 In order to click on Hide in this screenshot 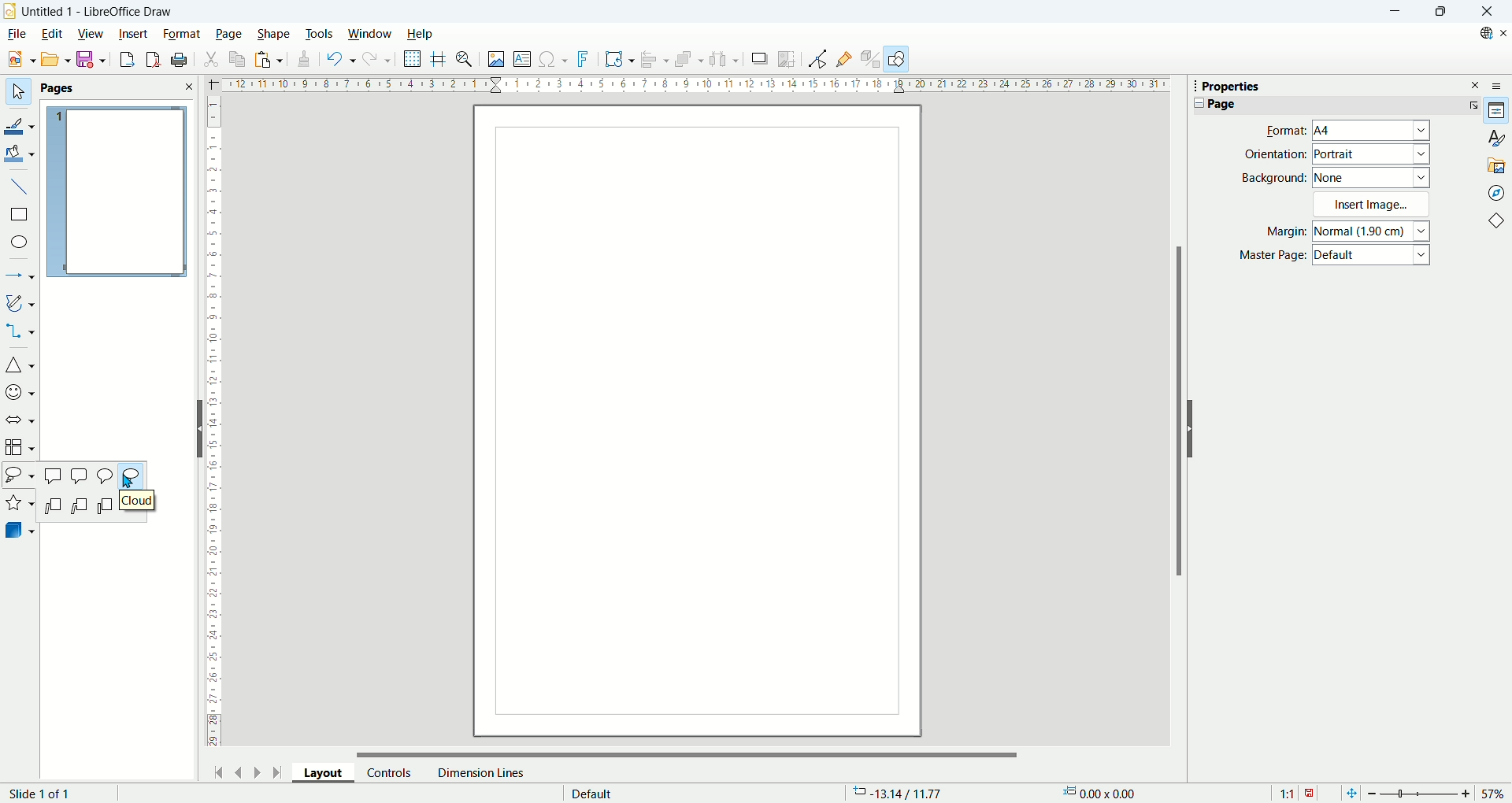, I will do `click(197, 427)`.